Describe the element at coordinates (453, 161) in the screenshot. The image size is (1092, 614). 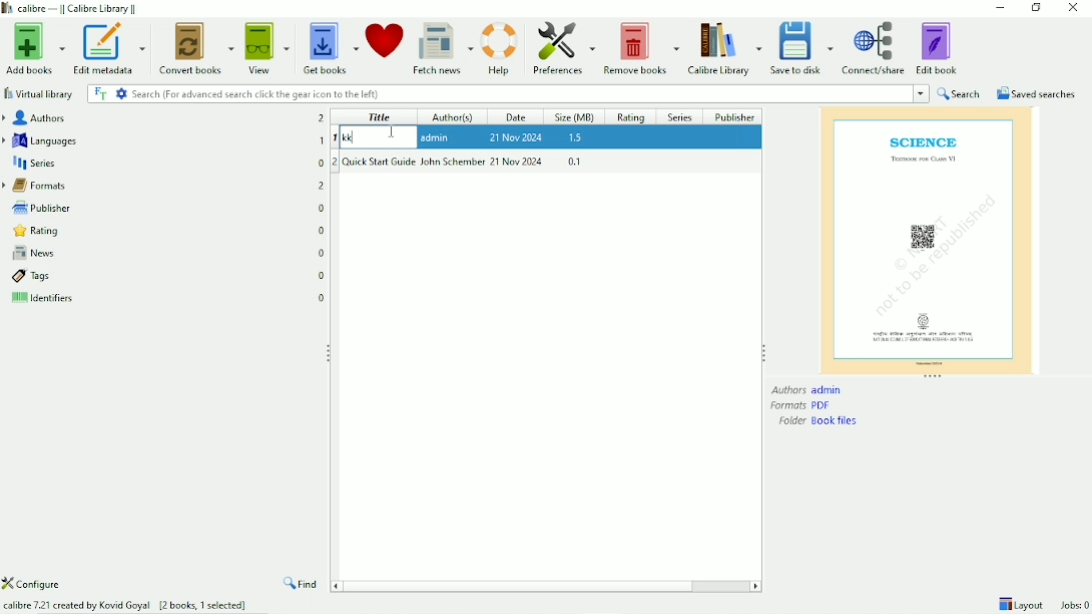
I see `John Schember` at that location.